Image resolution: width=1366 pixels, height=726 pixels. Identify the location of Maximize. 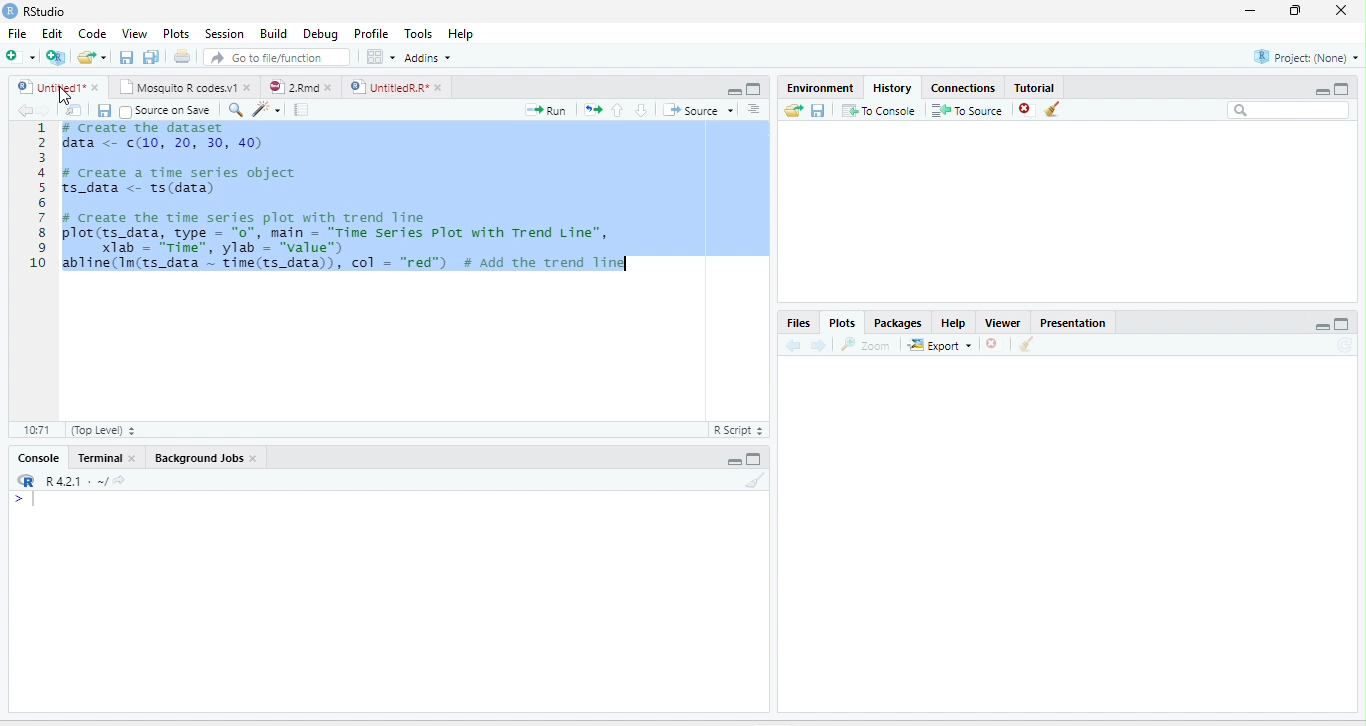
(1342, 88).